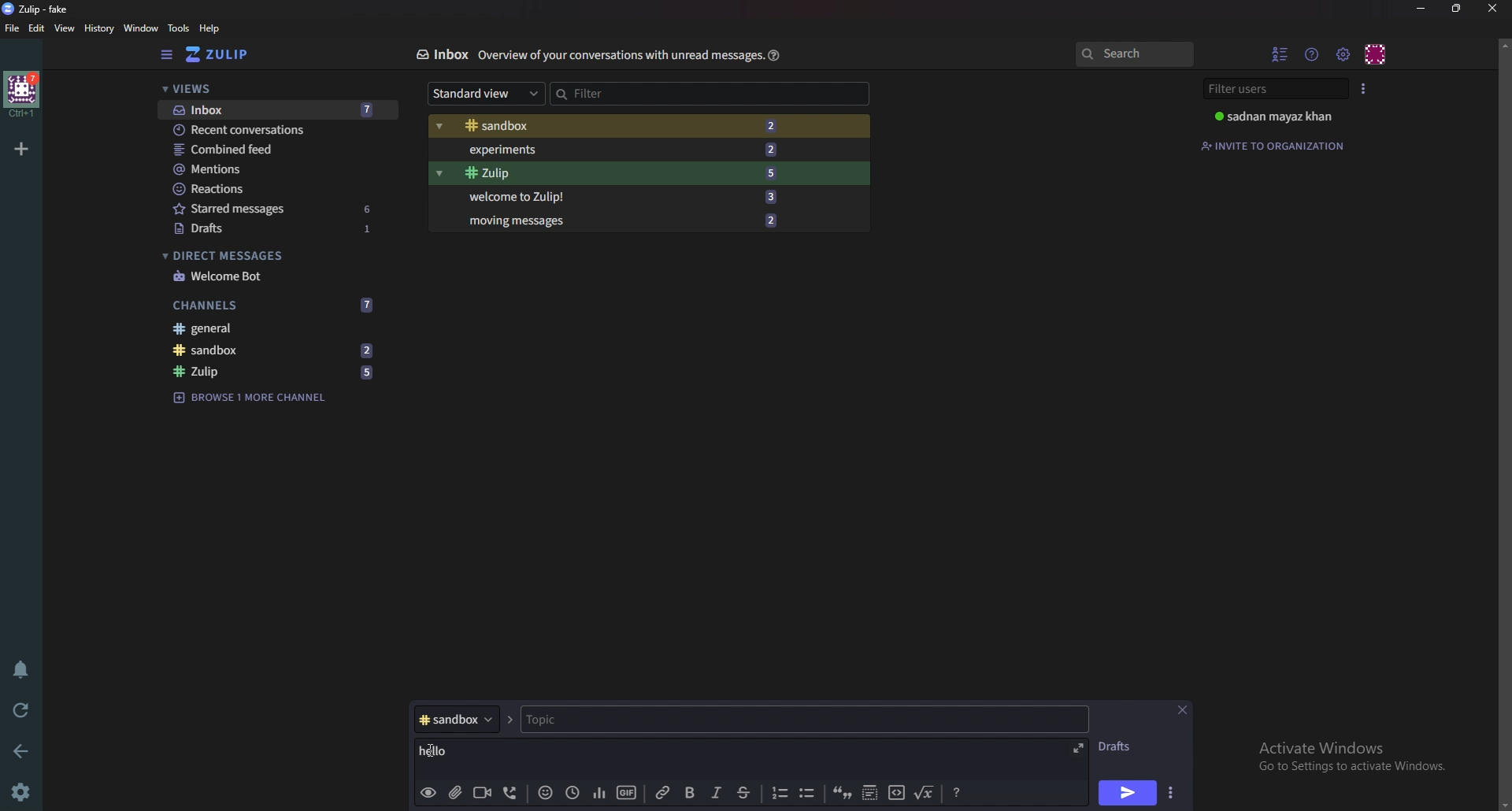  I want to click on Italic, so click(719, 794).